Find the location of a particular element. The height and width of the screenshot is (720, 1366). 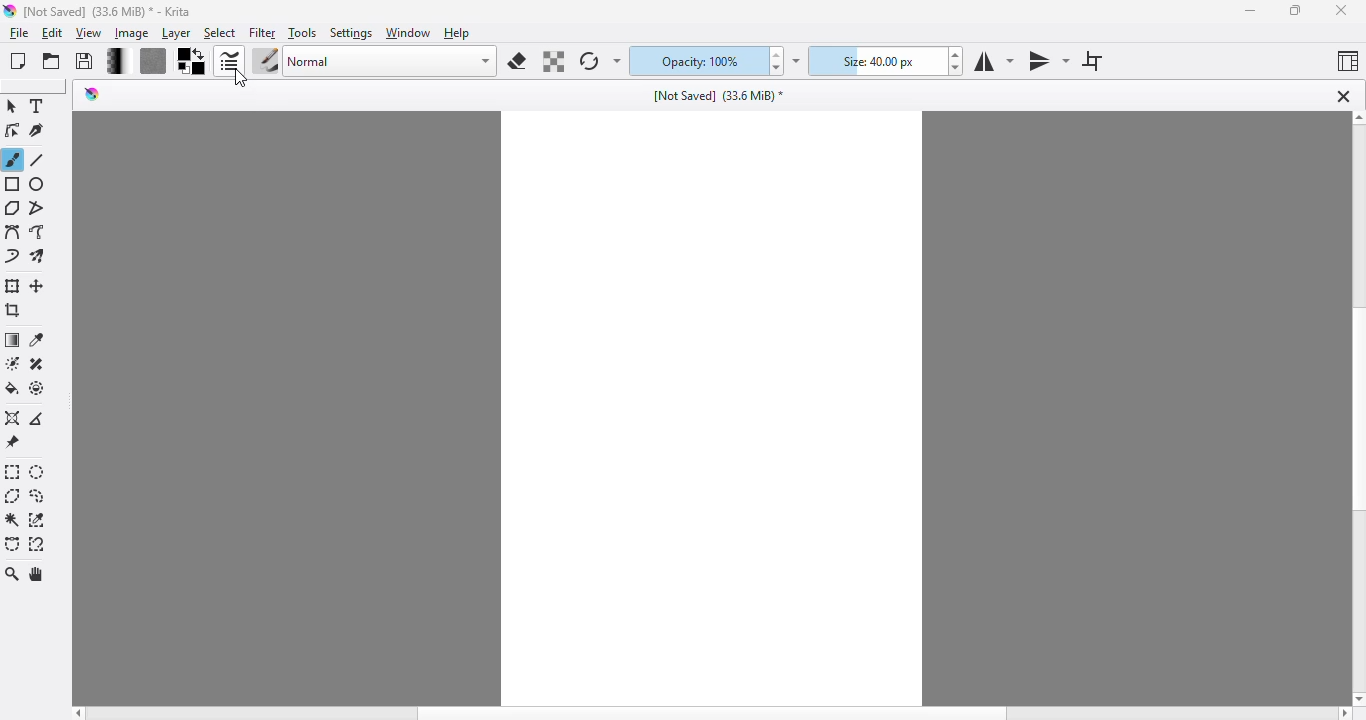

opacity: 100% is located at coordinates (700, 61).